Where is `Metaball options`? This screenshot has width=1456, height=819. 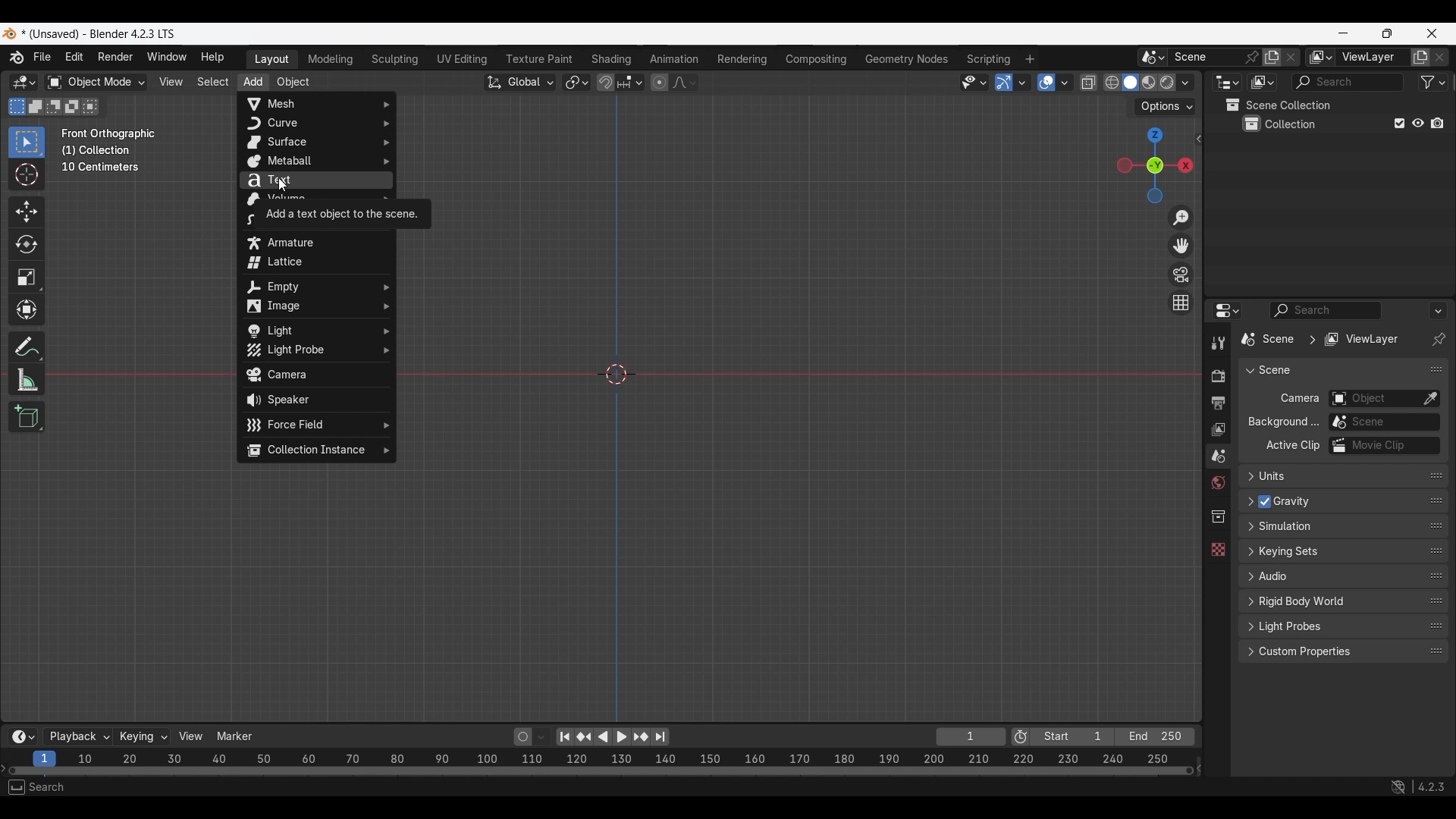
Metaball options is located at coordinates (317, 162).